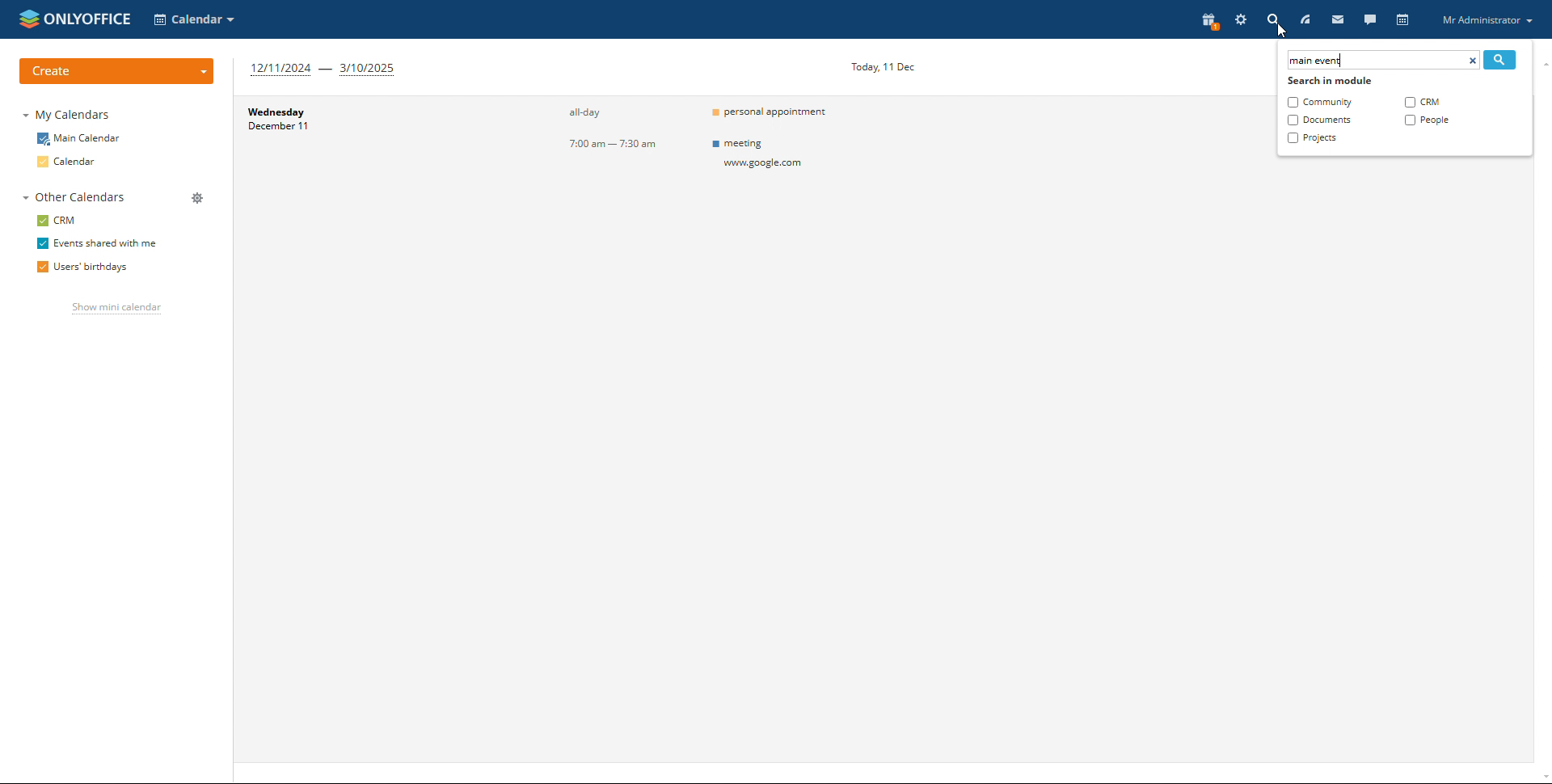 The height and width of the screenshot is (784, 1552). Describe the element at coordinates (885, 66) in the screenshot. I see `Today, 11 Dec` at that location.